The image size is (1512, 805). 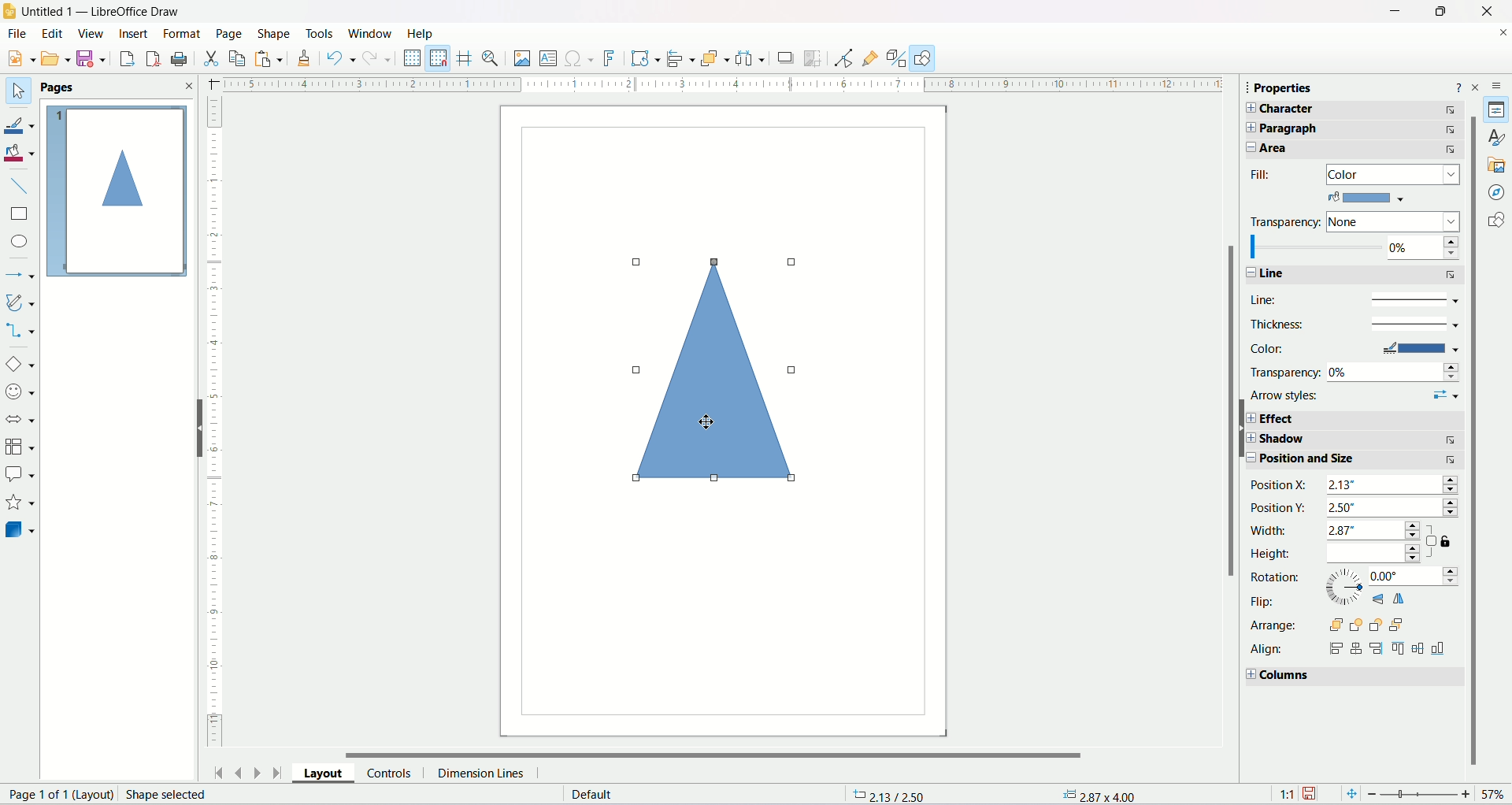 I want to click on Save, so click(x=90, y=57).